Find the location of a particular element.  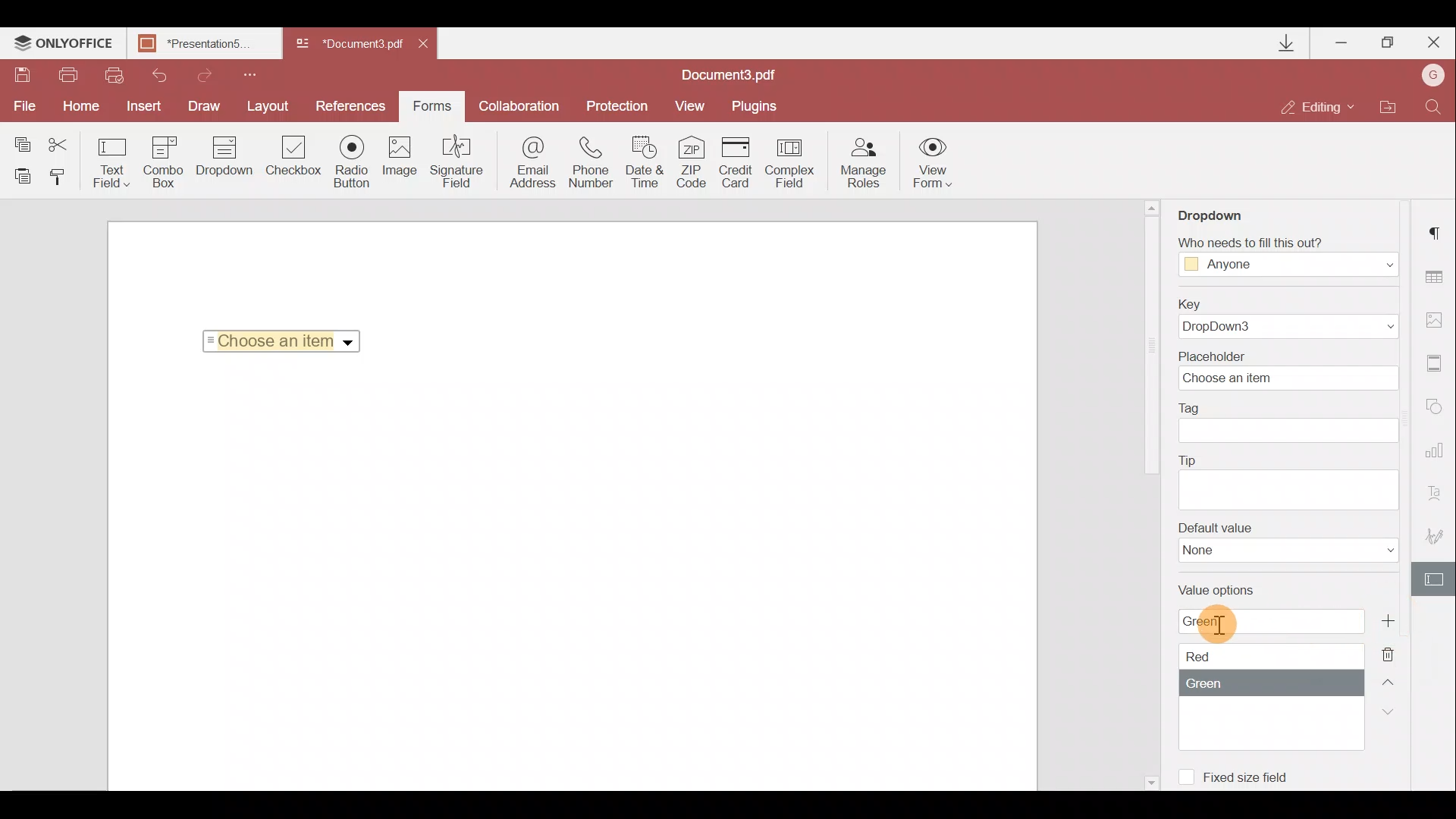

Close is located at coordinates (1432, 43).